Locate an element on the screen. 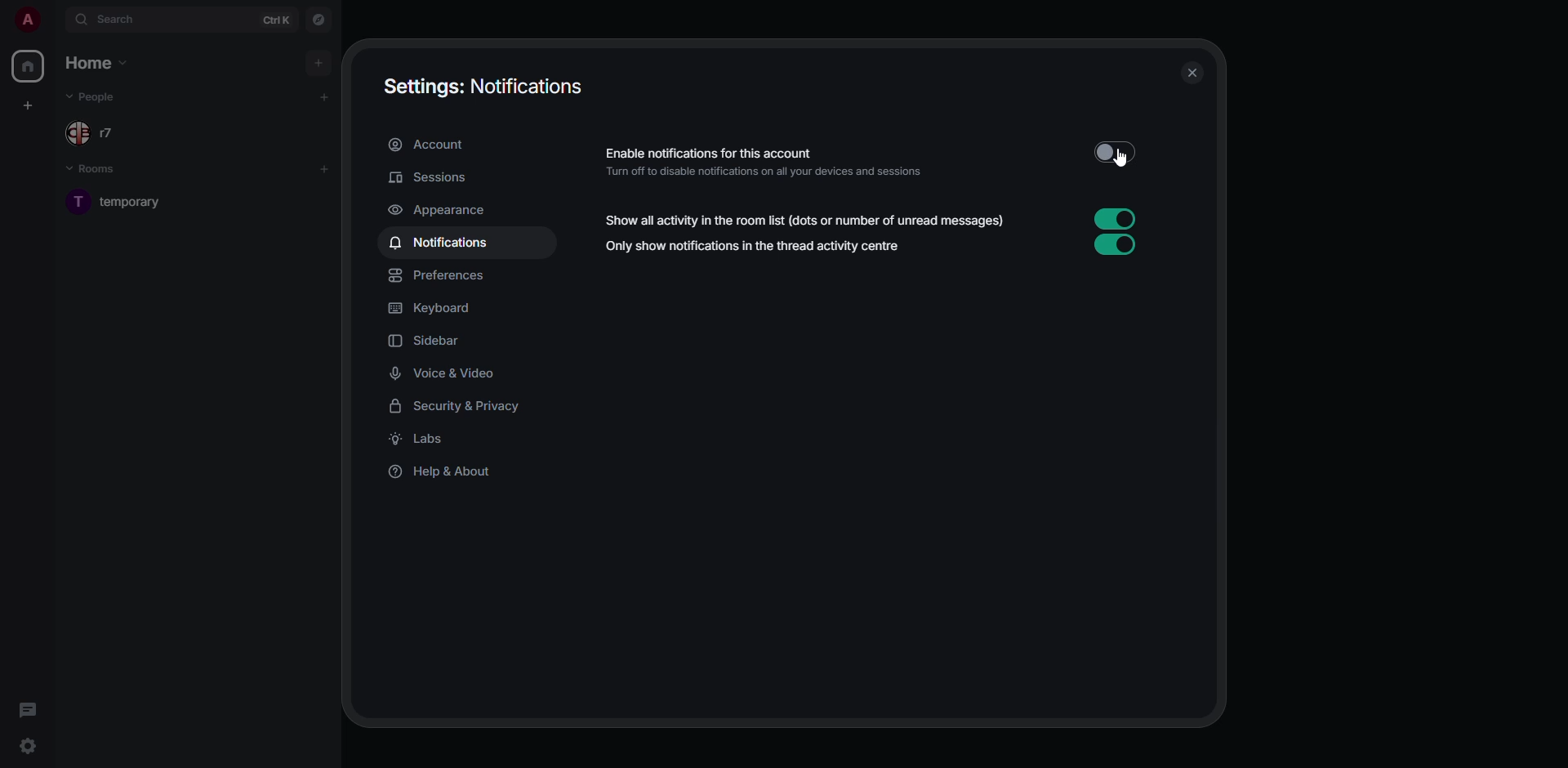  voice & video is located at coordinates (447, 373).